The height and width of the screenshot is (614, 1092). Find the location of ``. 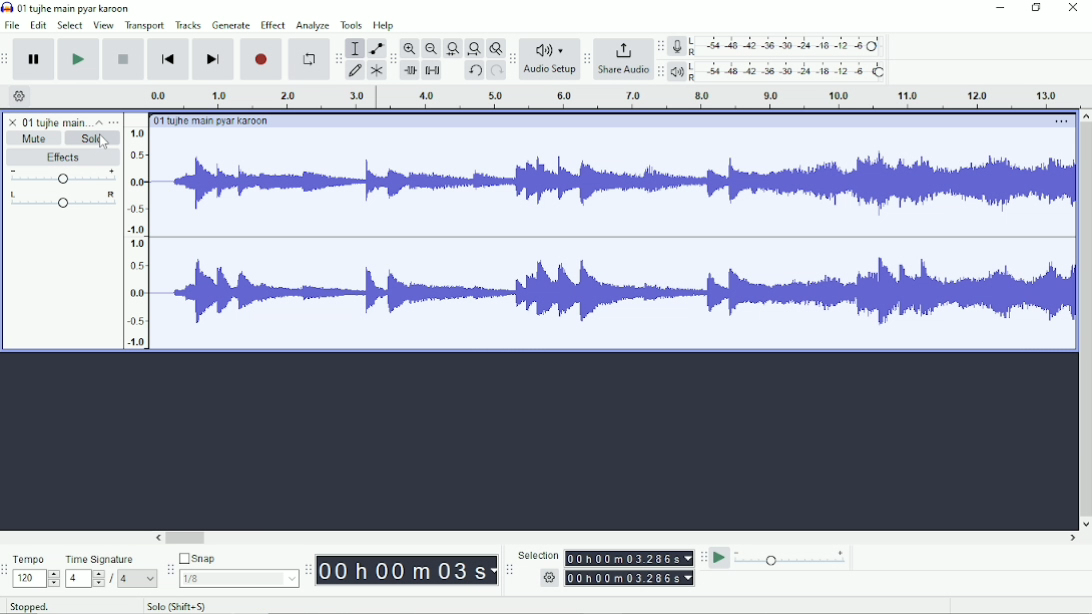

 is located at coordinates (238, 579).